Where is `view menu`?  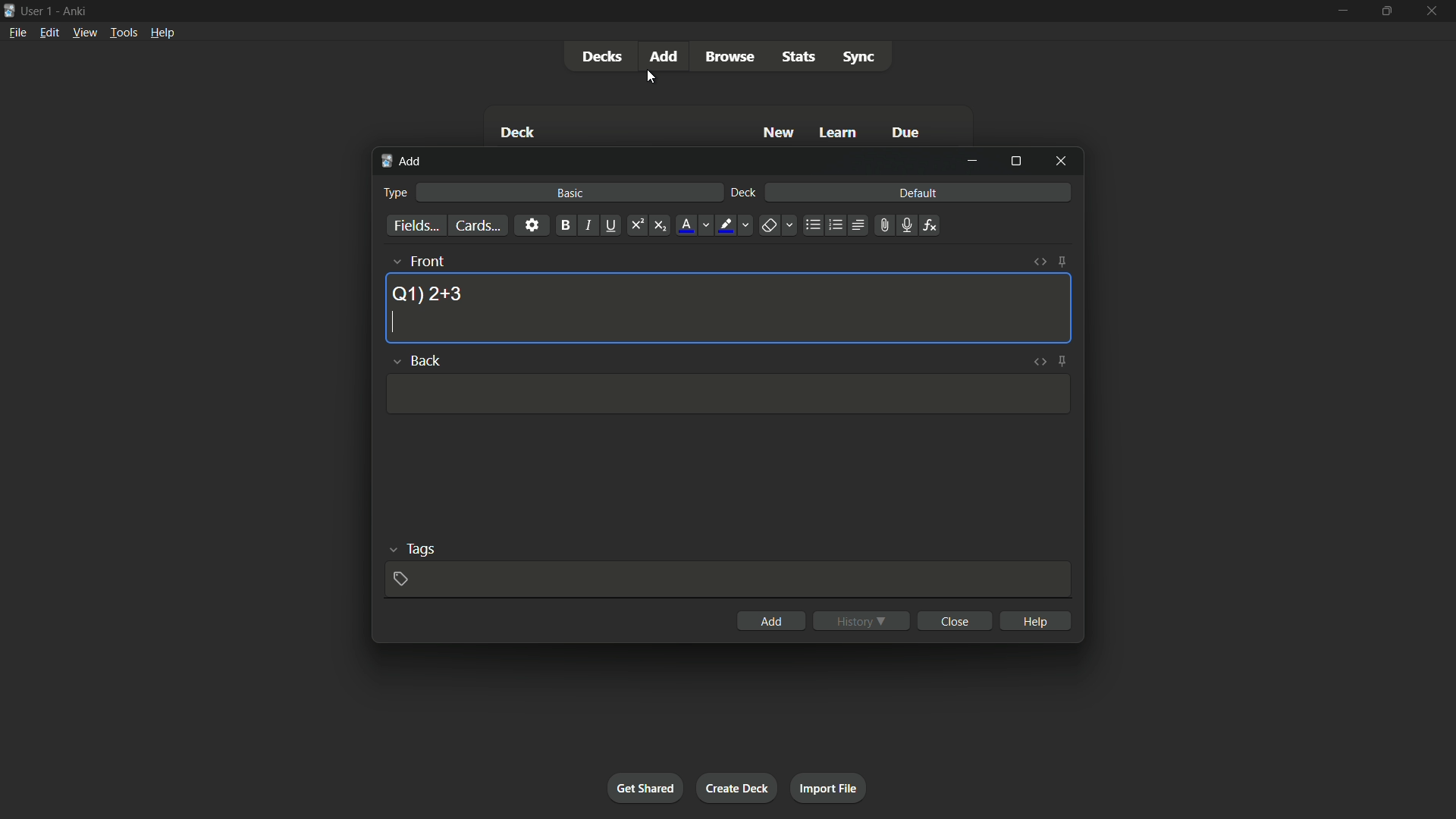
view menu is located at coordinates (83, 31).